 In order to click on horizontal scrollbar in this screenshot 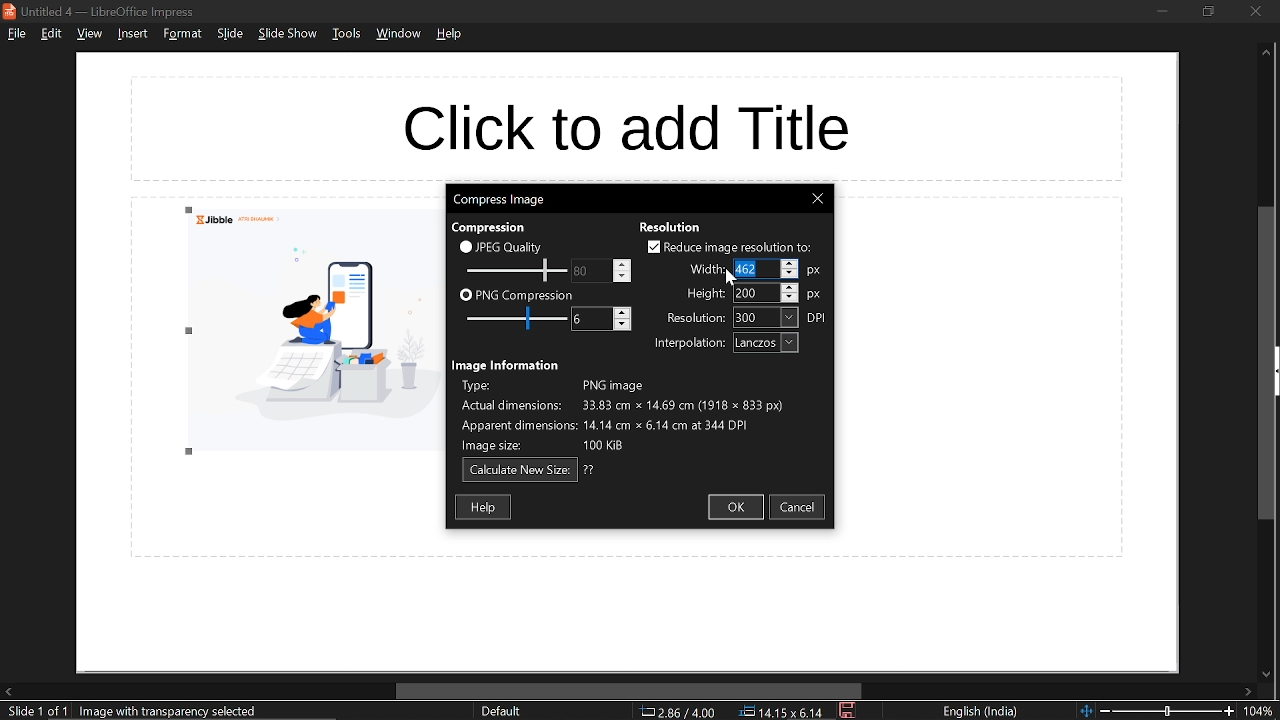, I will do `click(630, 691)`.